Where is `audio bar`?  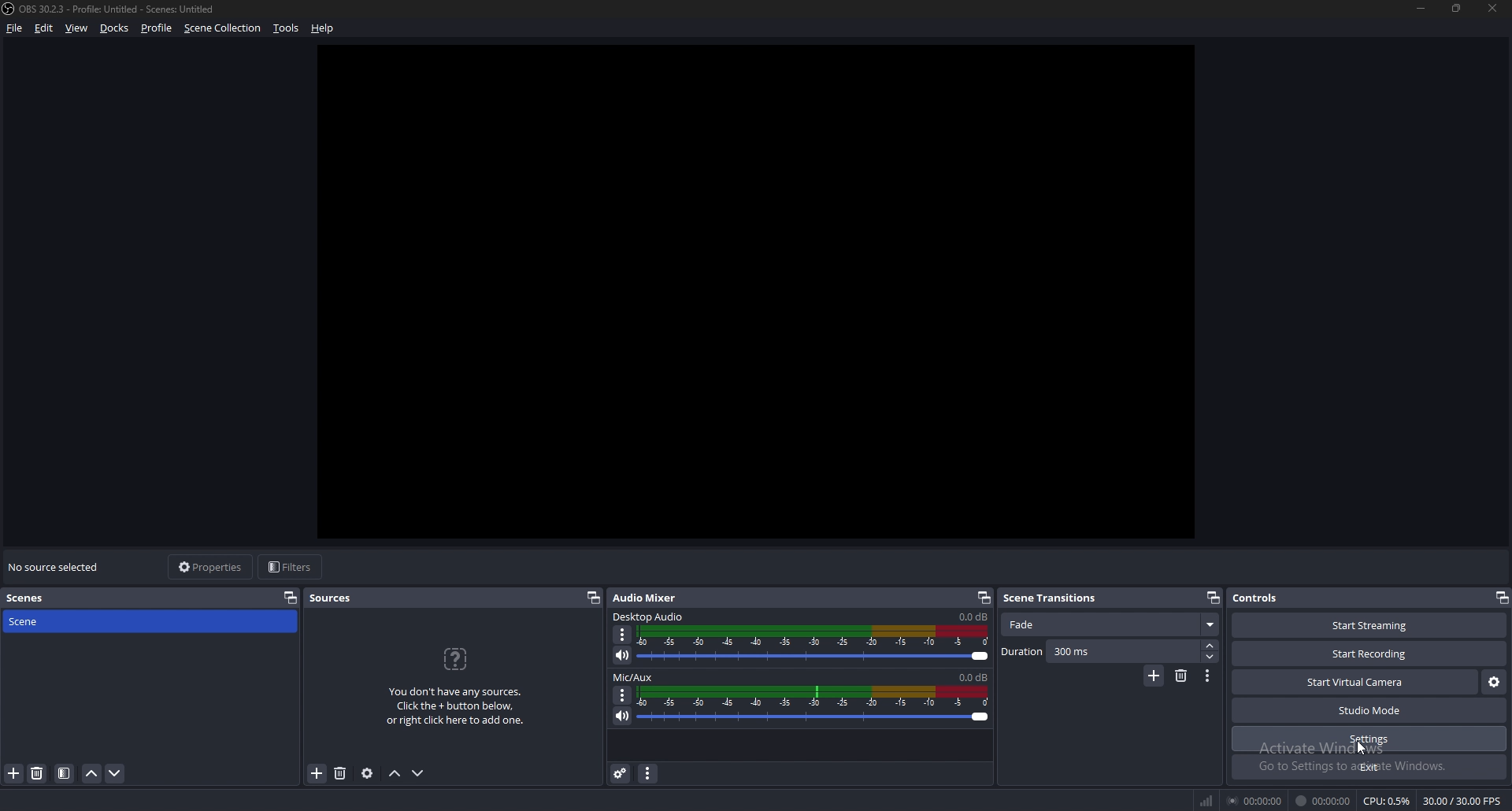 audio bar is located at coordinates (816, 705).